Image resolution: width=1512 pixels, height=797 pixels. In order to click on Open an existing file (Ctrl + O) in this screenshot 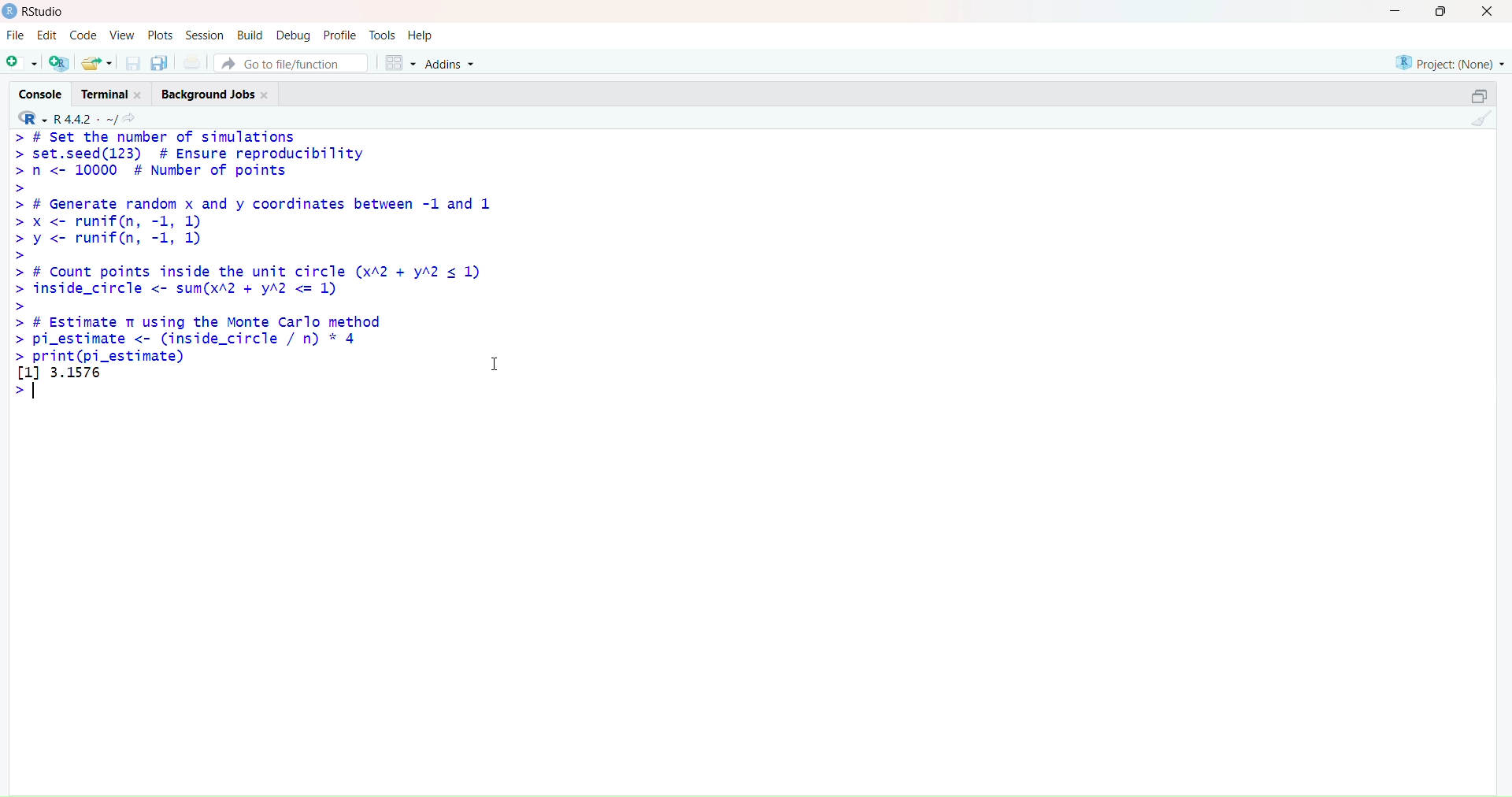, I will do `click(98, 61)`.